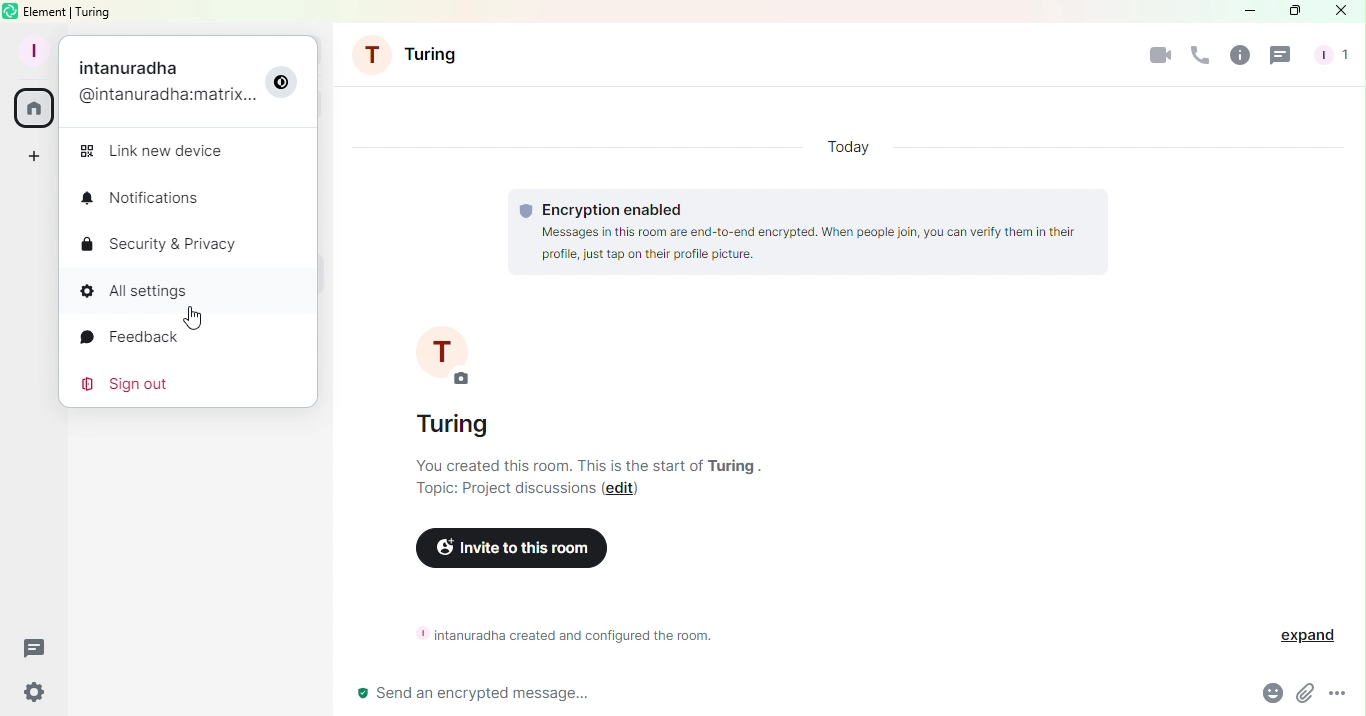 This screenshot has height=716, width=1366. What do you see at coordinates (1292, 12) in the screenshot?
I see `Maximize` at bounding box center [1292, 12].